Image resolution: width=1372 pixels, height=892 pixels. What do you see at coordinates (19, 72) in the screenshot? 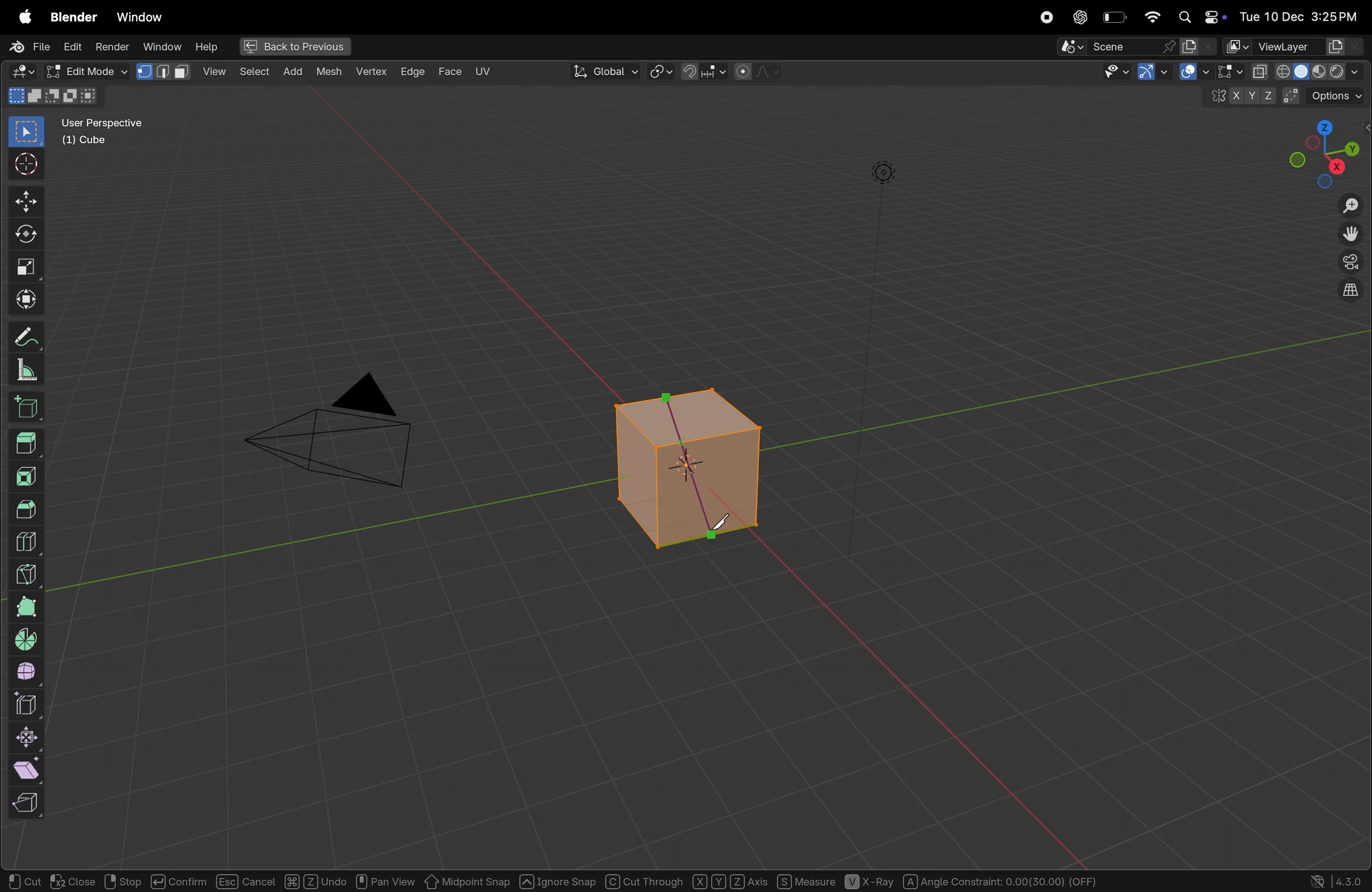
I see `editor type` at bounding box center [19, 72].